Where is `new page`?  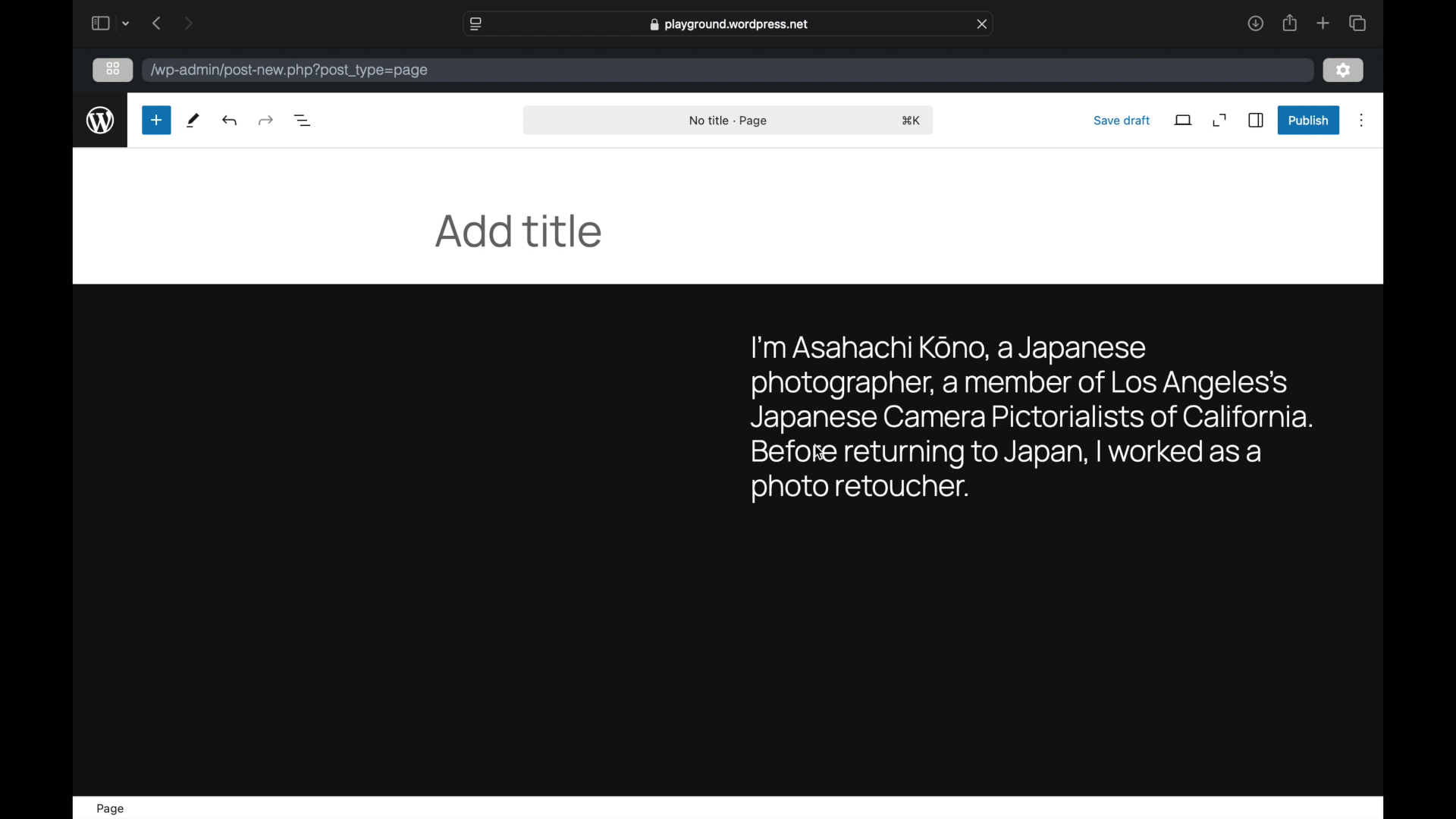
new page is located at coordinates (155, 120).